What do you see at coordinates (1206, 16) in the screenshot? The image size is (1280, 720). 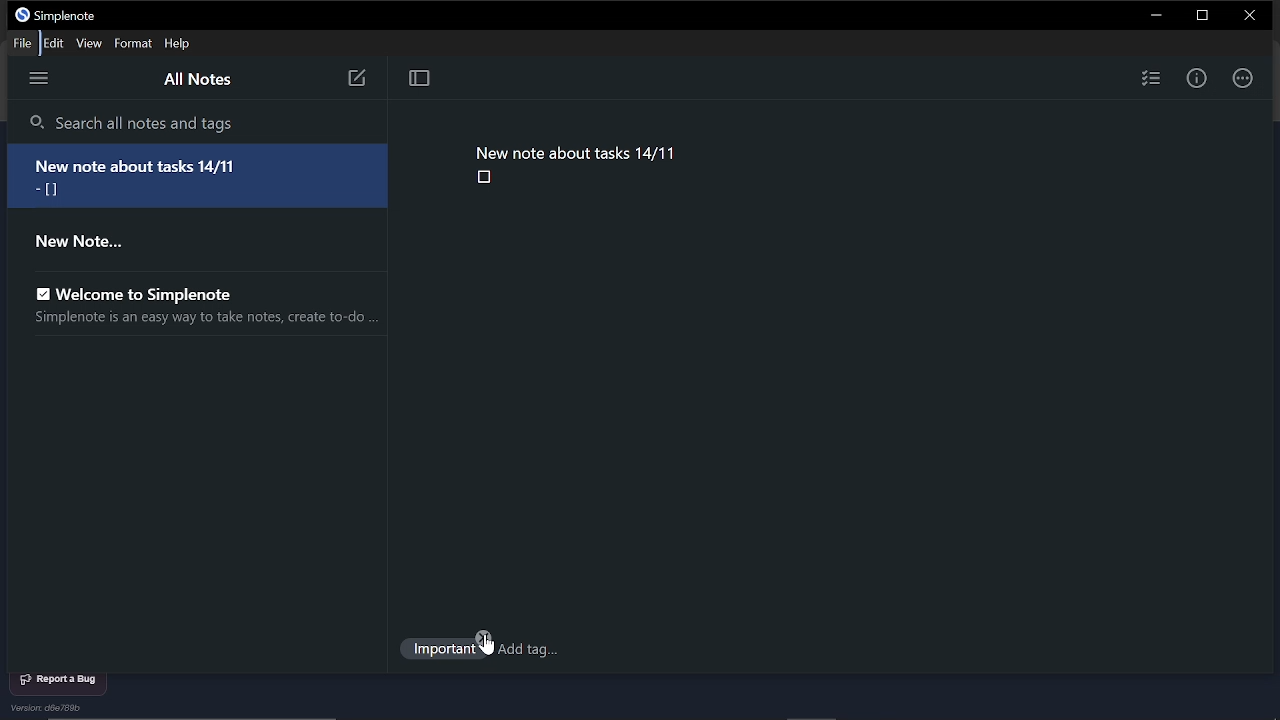 I see `Restore down` at bounding box center [1206, 16].